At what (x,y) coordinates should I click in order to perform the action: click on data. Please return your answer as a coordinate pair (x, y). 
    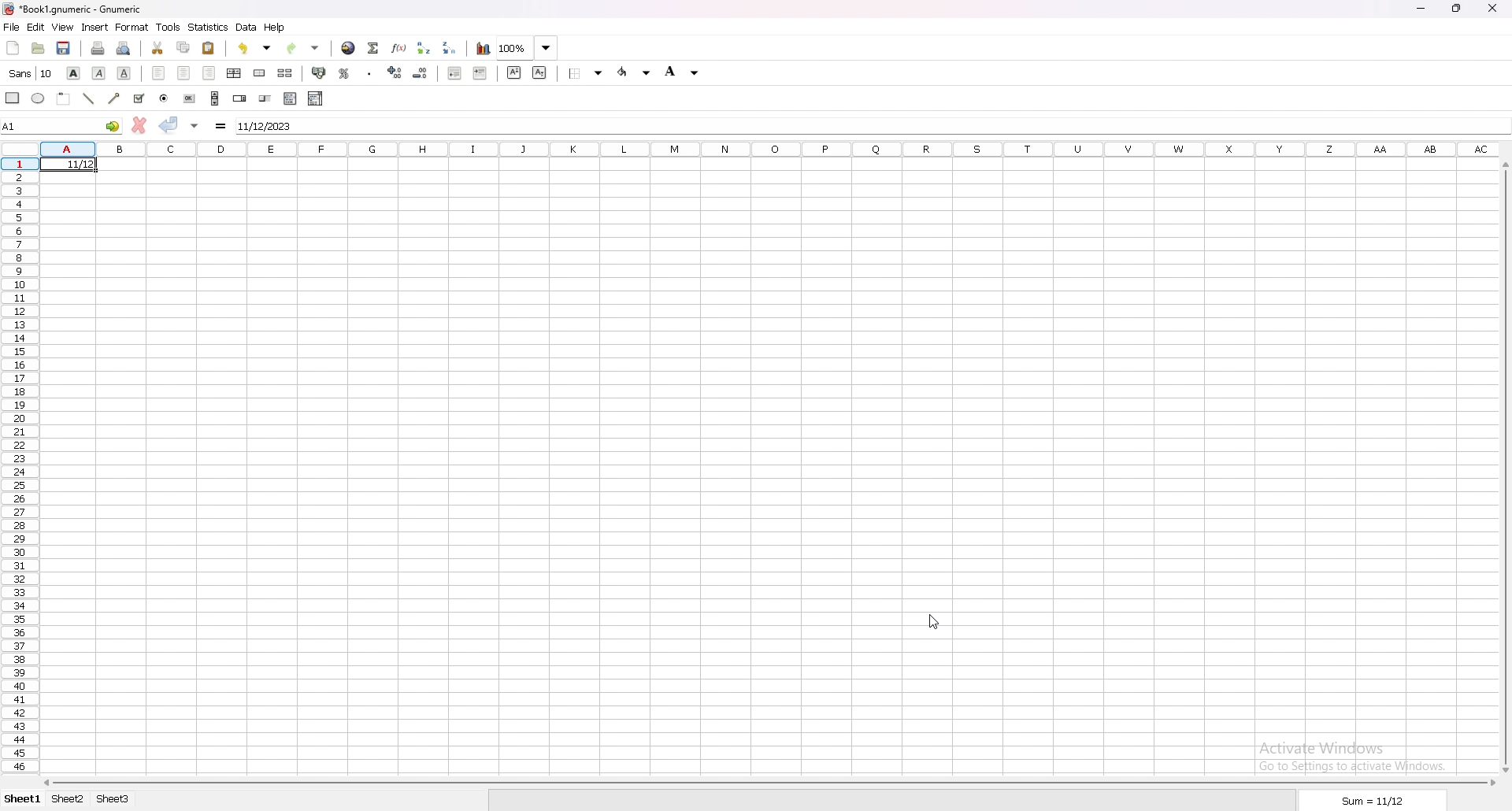
    Looking at the image, I should click on (246, 28).